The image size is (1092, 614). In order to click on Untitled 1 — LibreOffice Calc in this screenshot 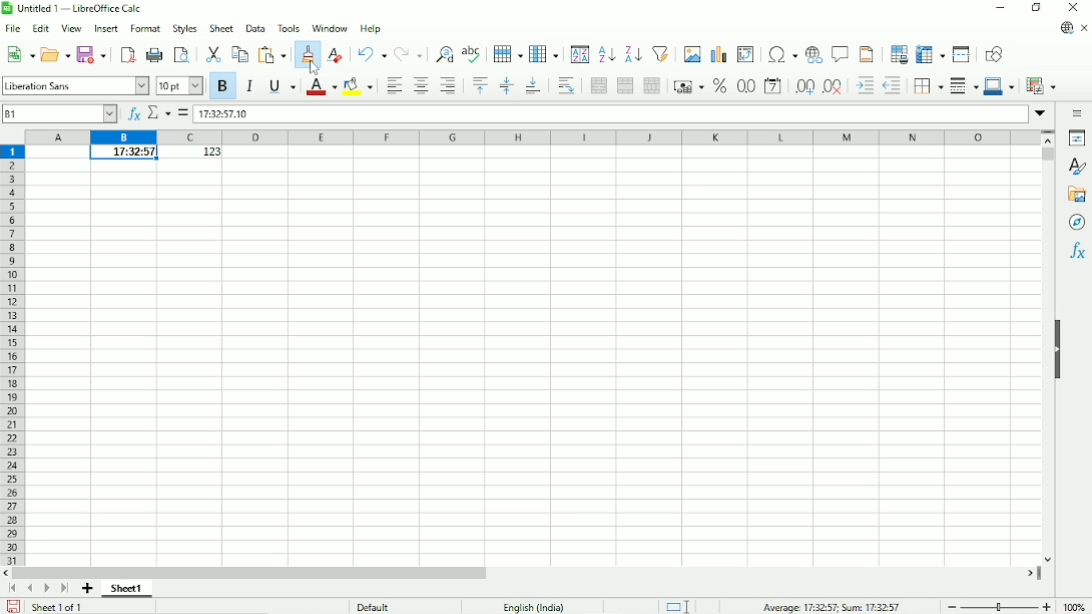, I will do `click(81, 8)`.